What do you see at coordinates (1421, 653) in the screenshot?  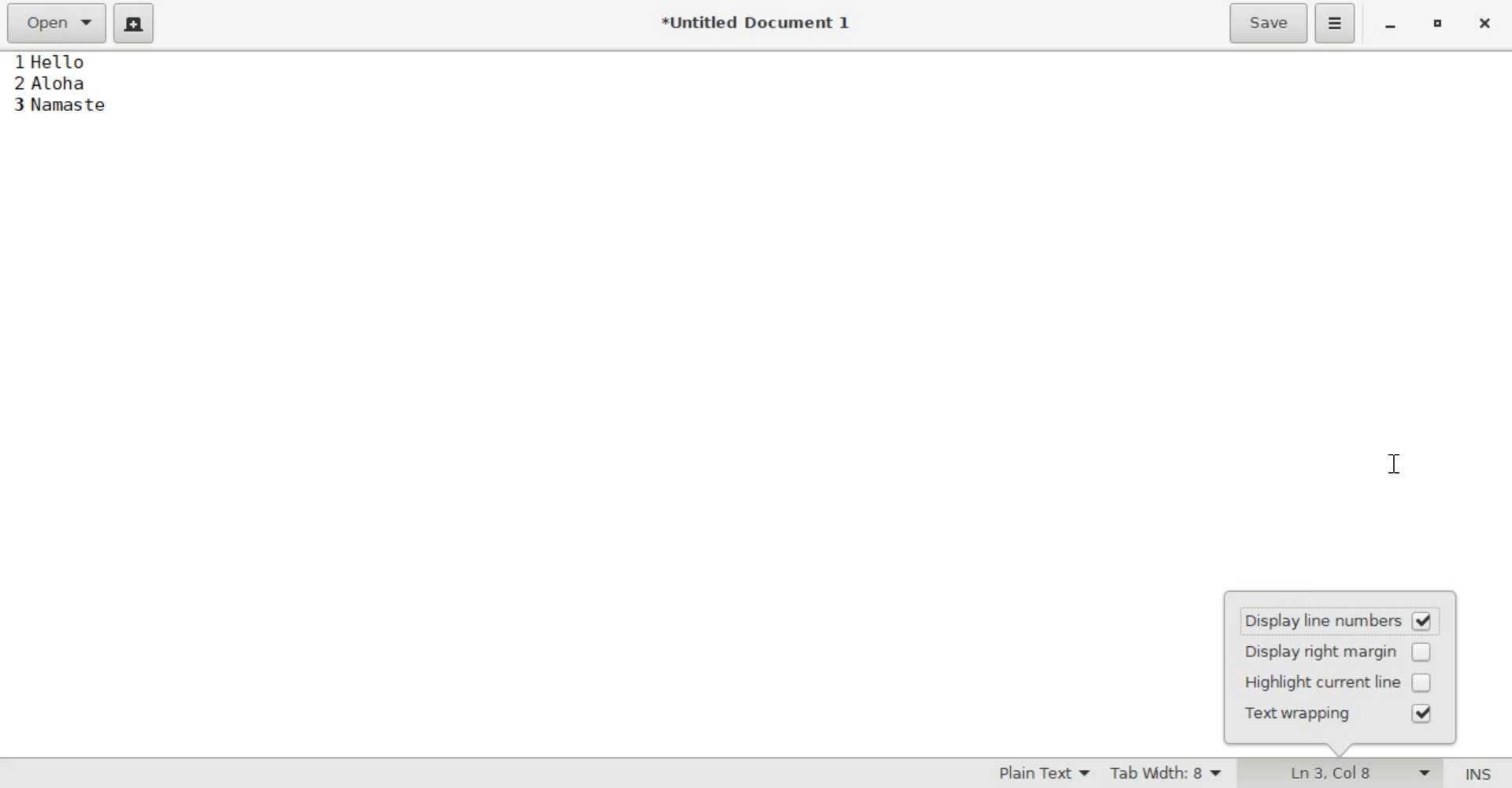 I see `Unselected Checkbox` at bounding box center [1421, 653].